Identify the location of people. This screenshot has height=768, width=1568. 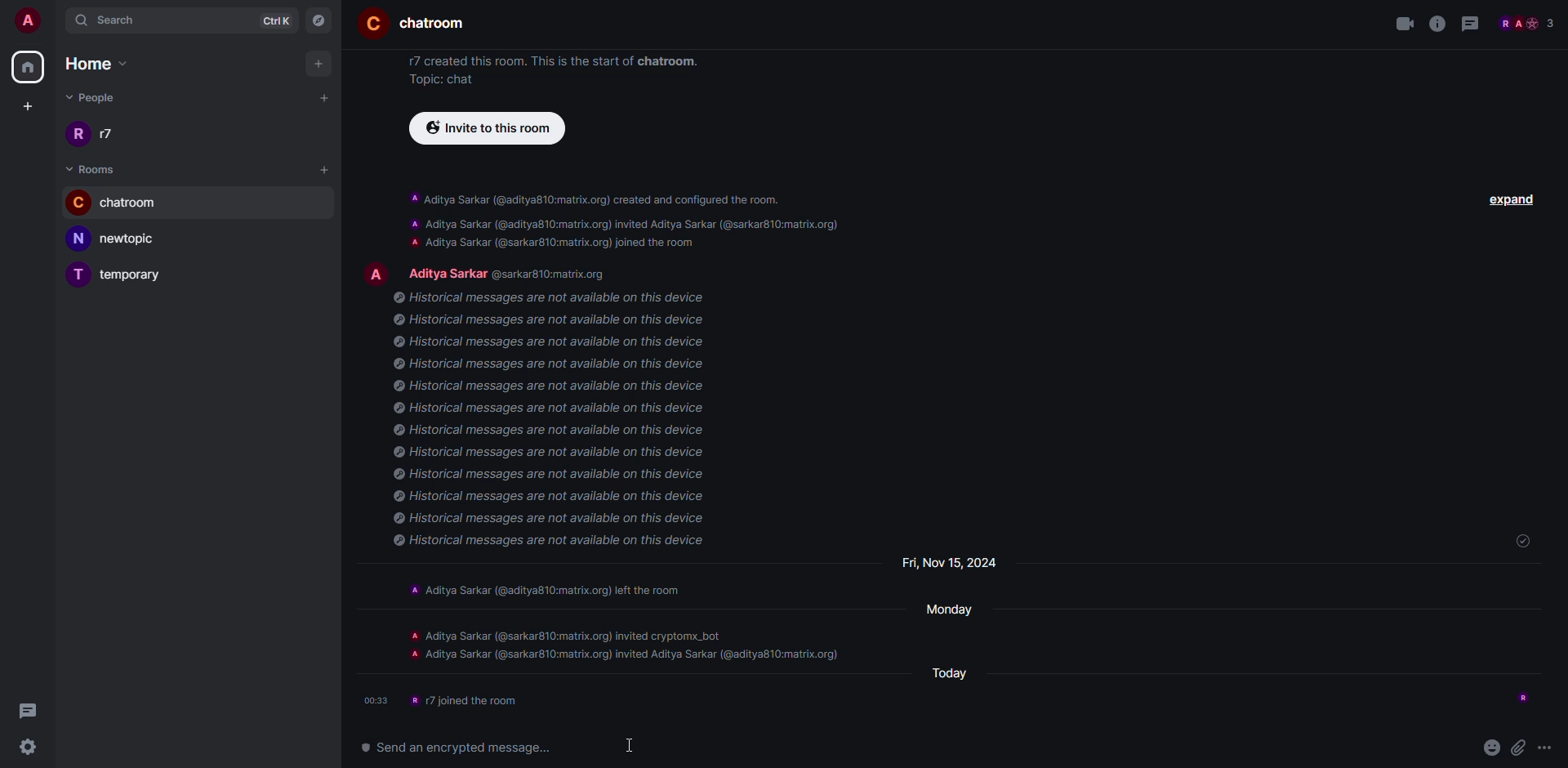
(1527, 23).